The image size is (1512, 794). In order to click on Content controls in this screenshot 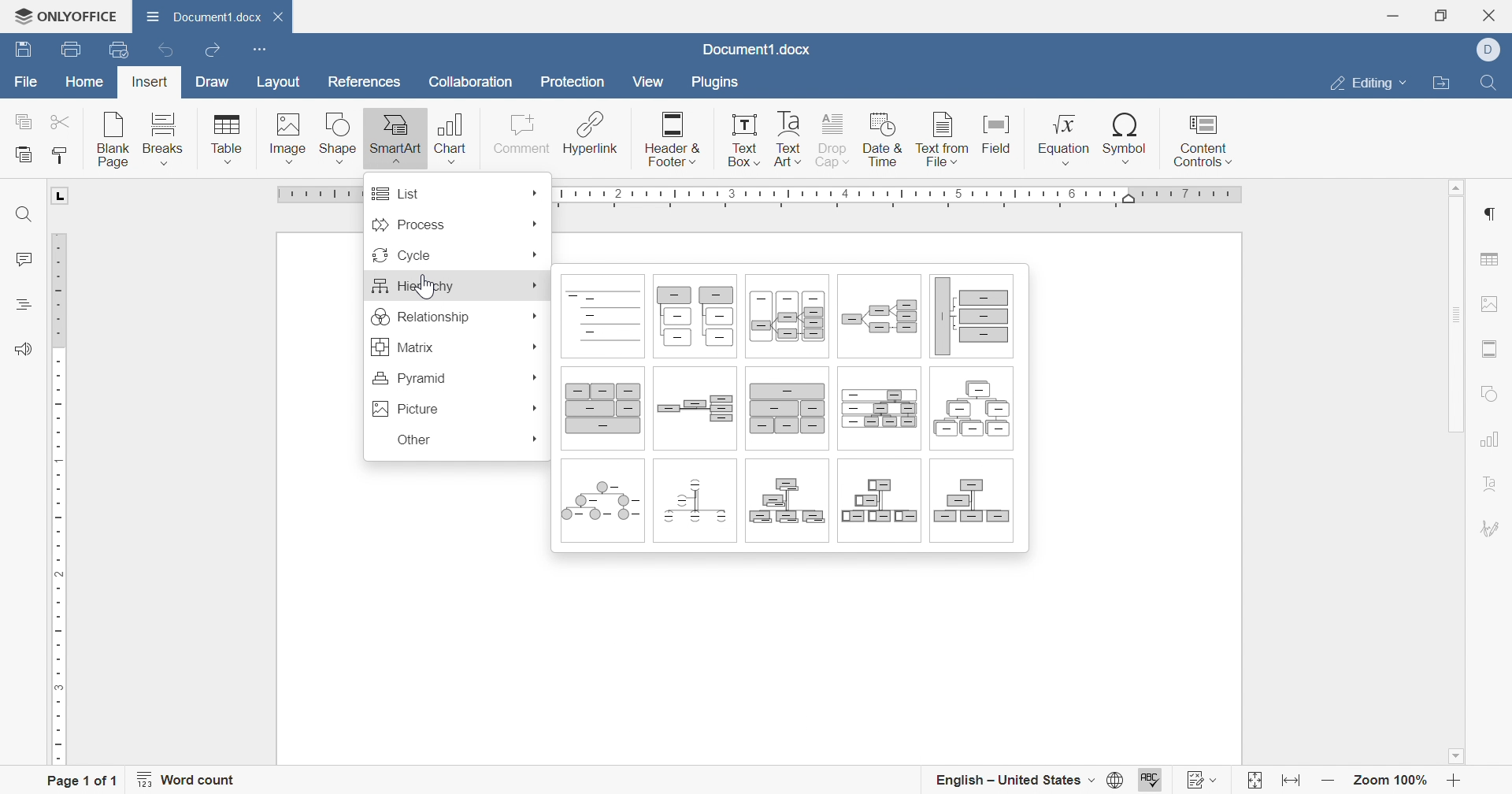, I will do `click(1206, 141)`.